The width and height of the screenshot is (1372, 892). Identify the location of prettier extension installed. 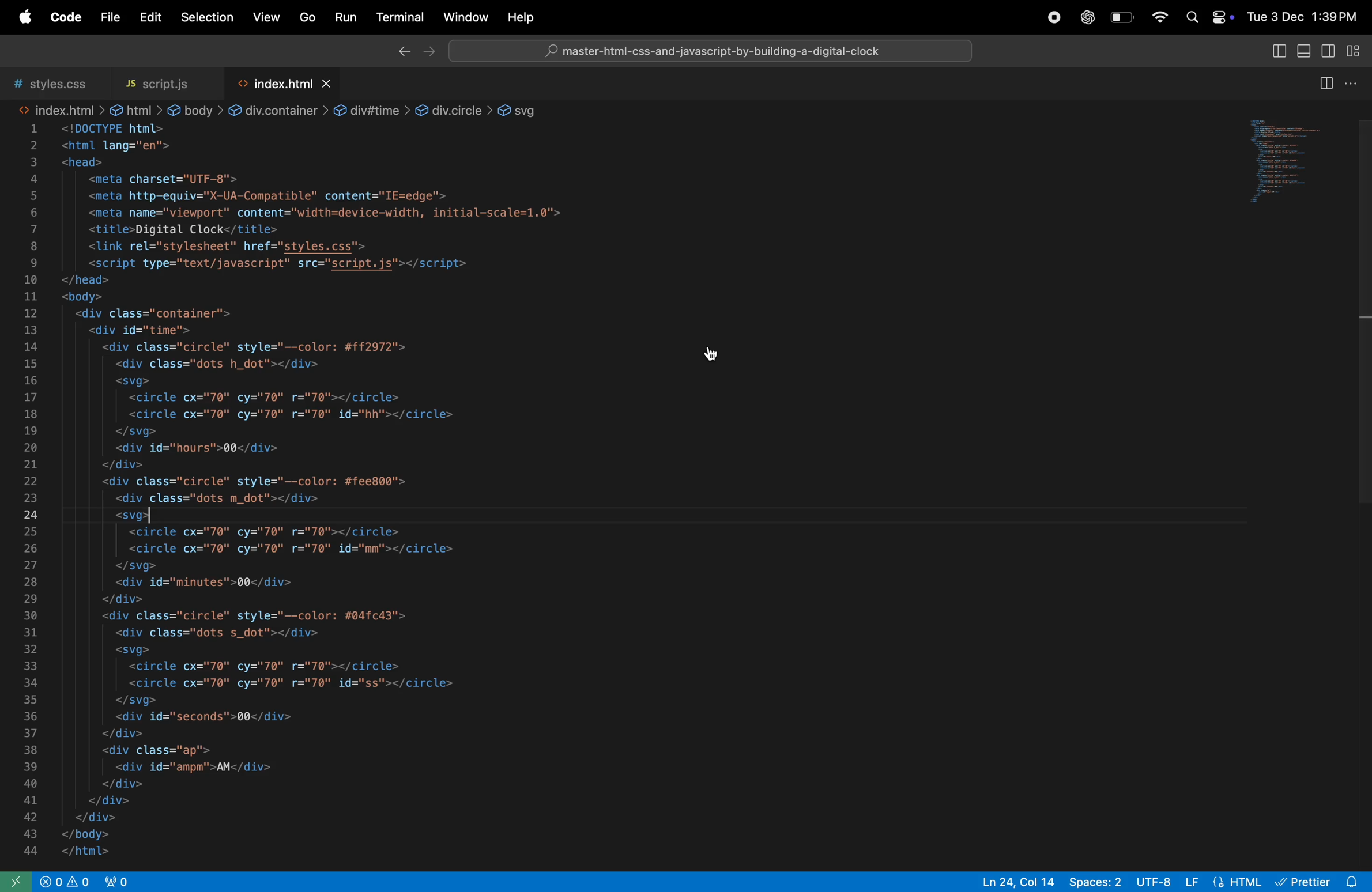
(1321, 881).